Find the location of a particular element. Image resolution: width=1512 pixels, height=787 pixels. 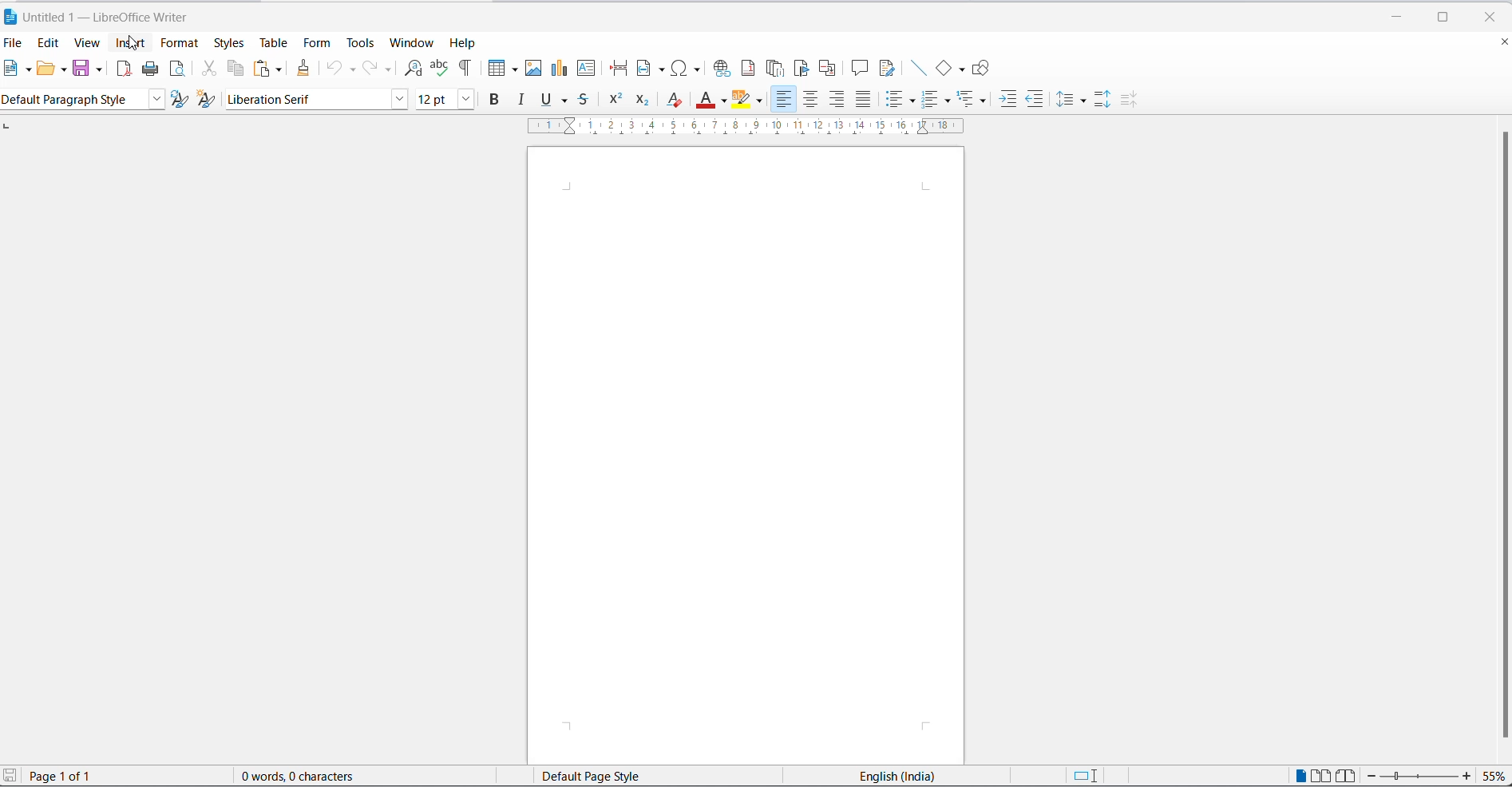

font size options is located at coordinates (463, 100).